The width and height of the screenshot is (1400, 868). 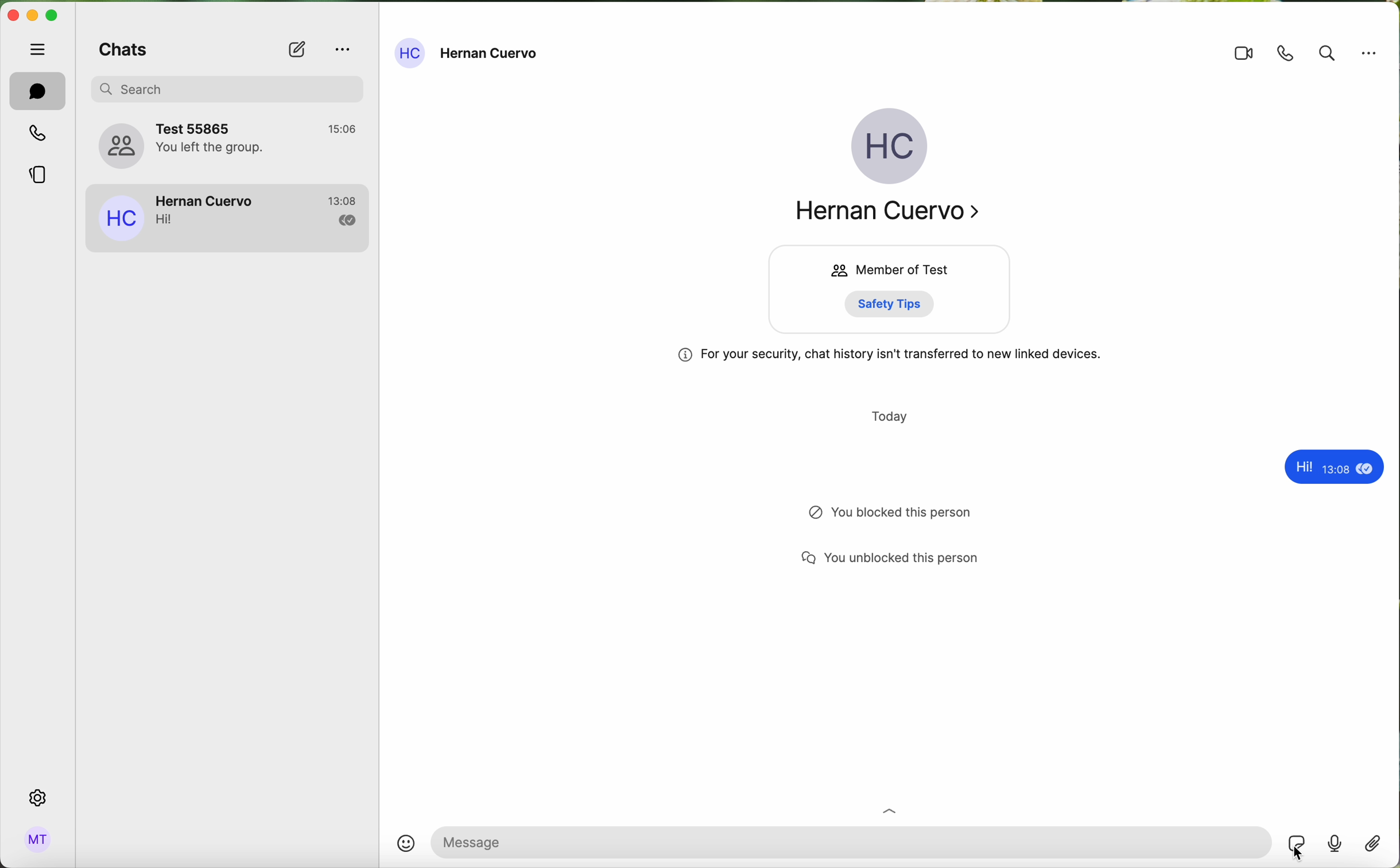 I want to click on settings, so click(x=39, y=797).